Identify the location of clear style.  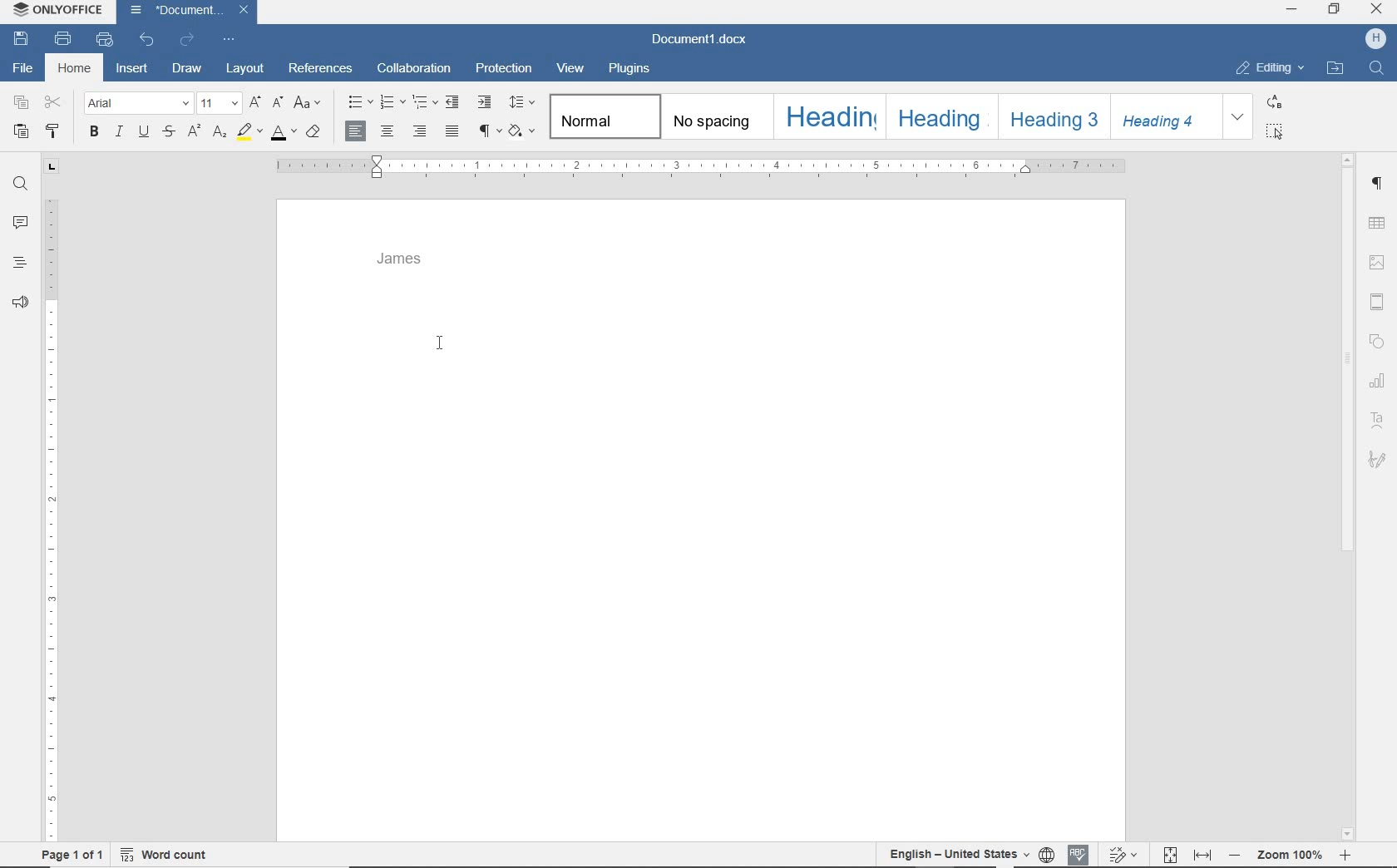
(313, 134).